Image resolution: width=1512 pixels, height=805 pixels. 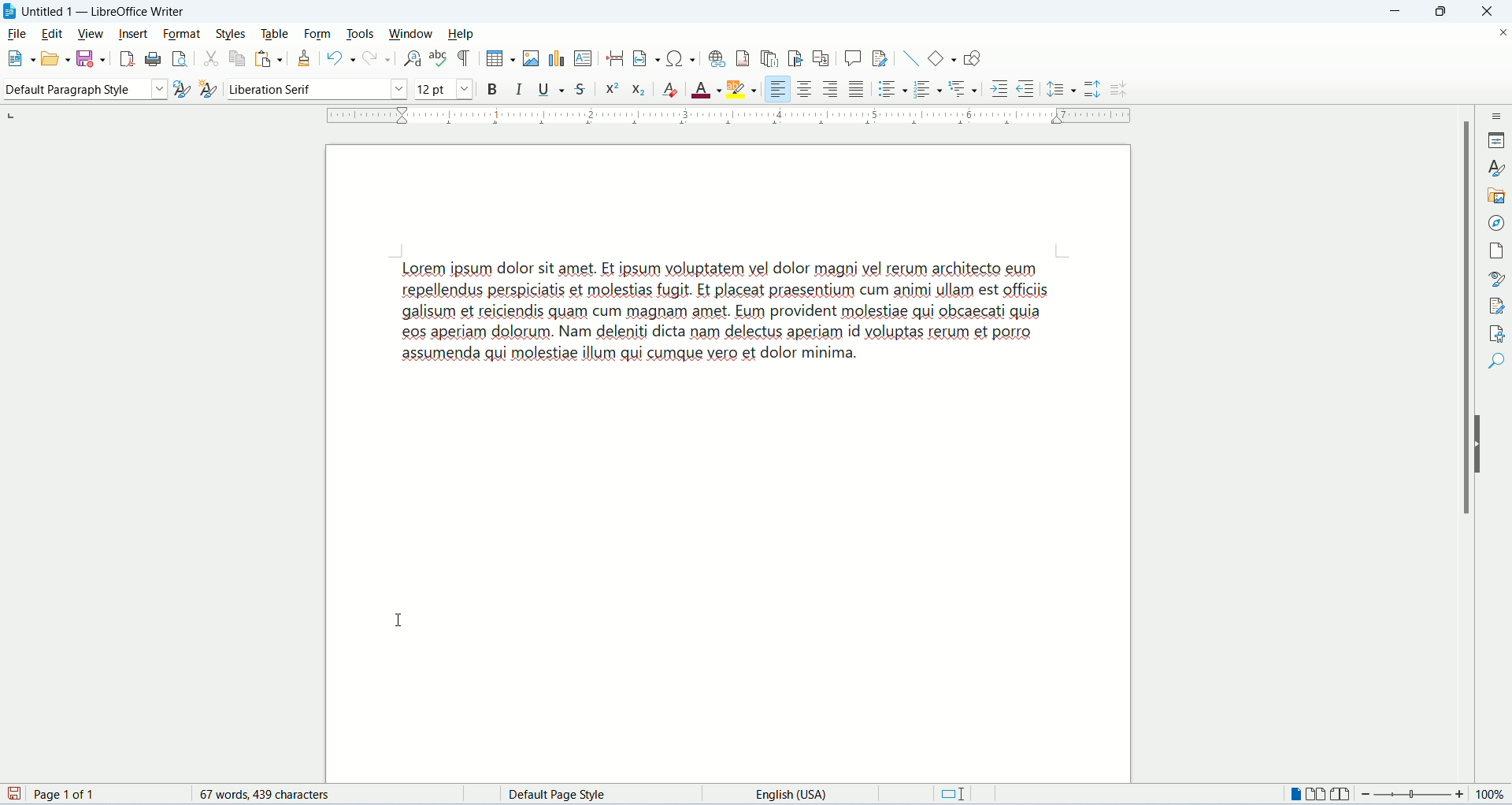 What do you see at coordinates (401, 621) in the screenshot?
I see `I beam cursor` at bounding box center [401, 621].